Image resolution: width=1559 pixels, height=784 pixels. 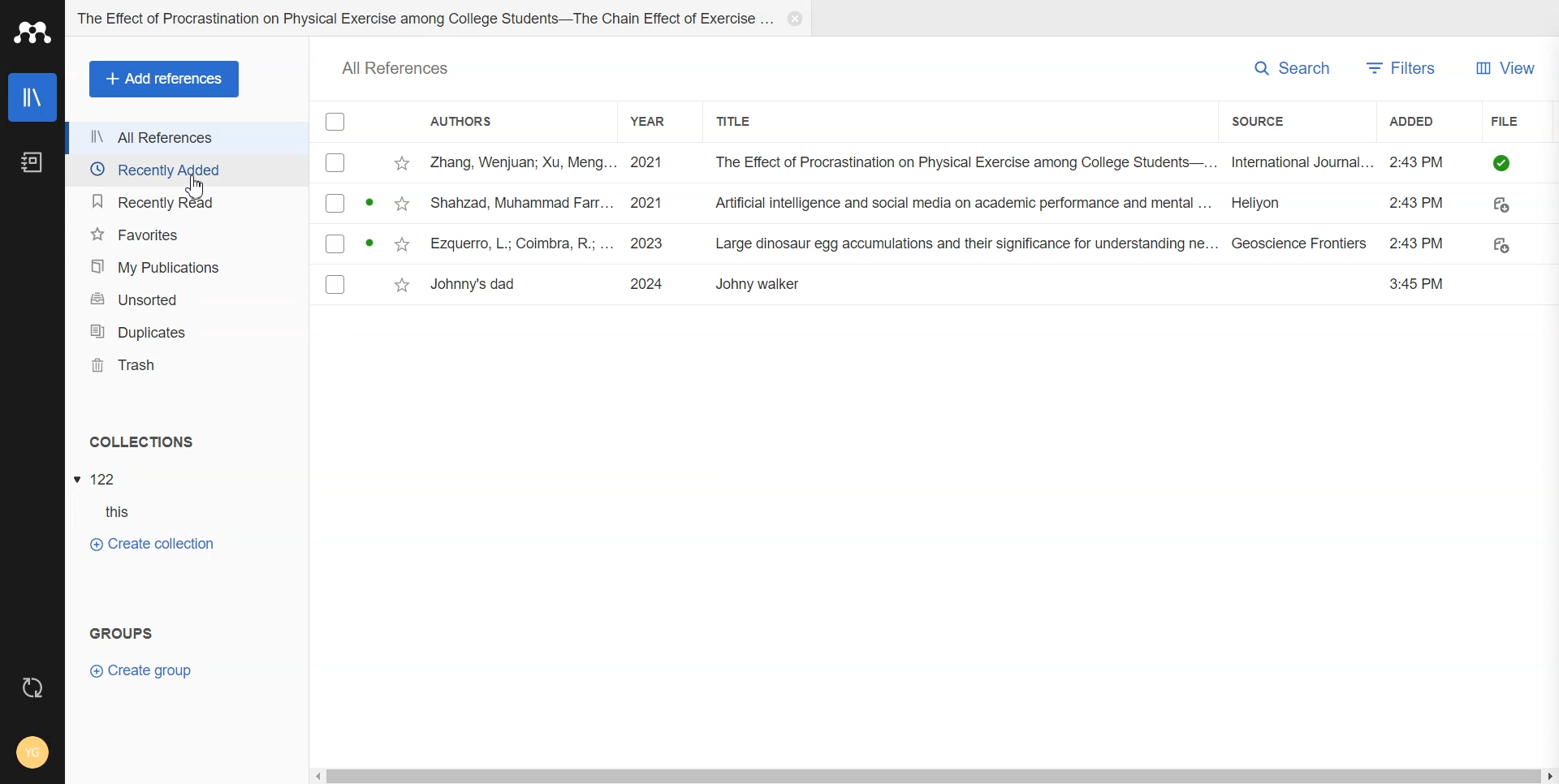 I want to click on Recently Added, so click(x=186, y=170).